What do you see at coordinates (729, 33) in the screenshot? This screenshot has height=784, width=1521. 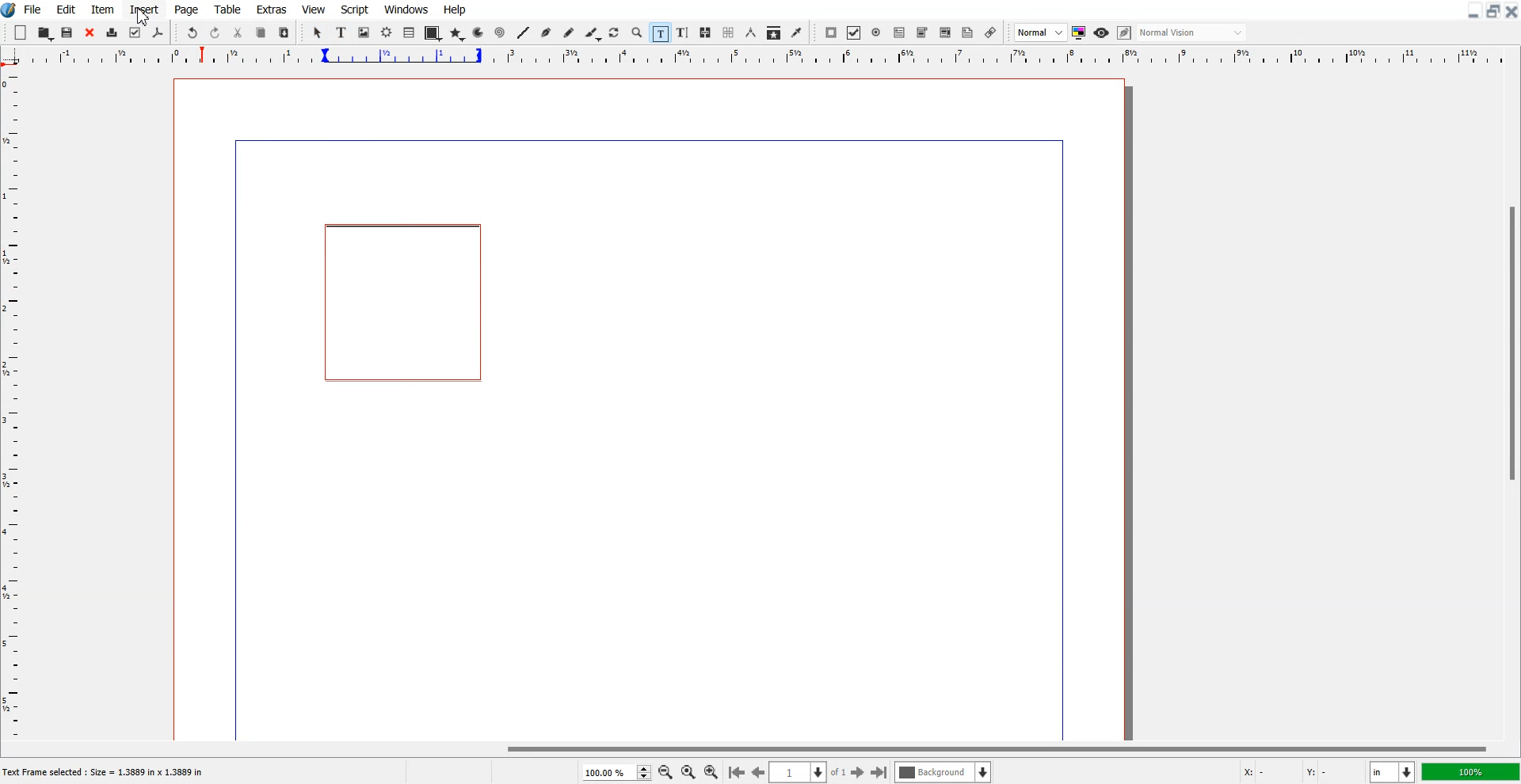 I see `Unlink text Frame` at bounding box center [729, 33].